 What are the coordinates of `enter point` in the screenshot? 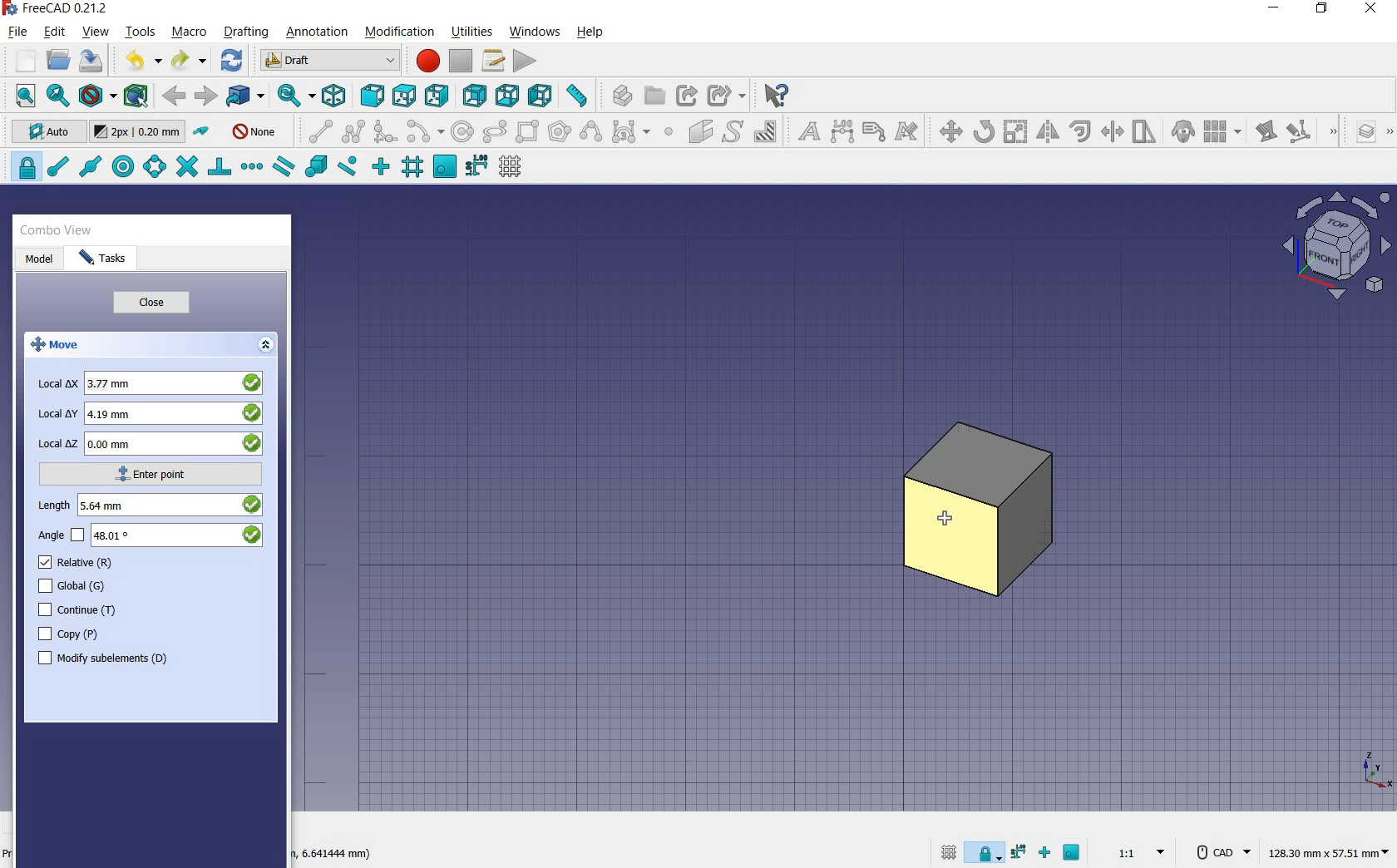 It's located at (151, 474).